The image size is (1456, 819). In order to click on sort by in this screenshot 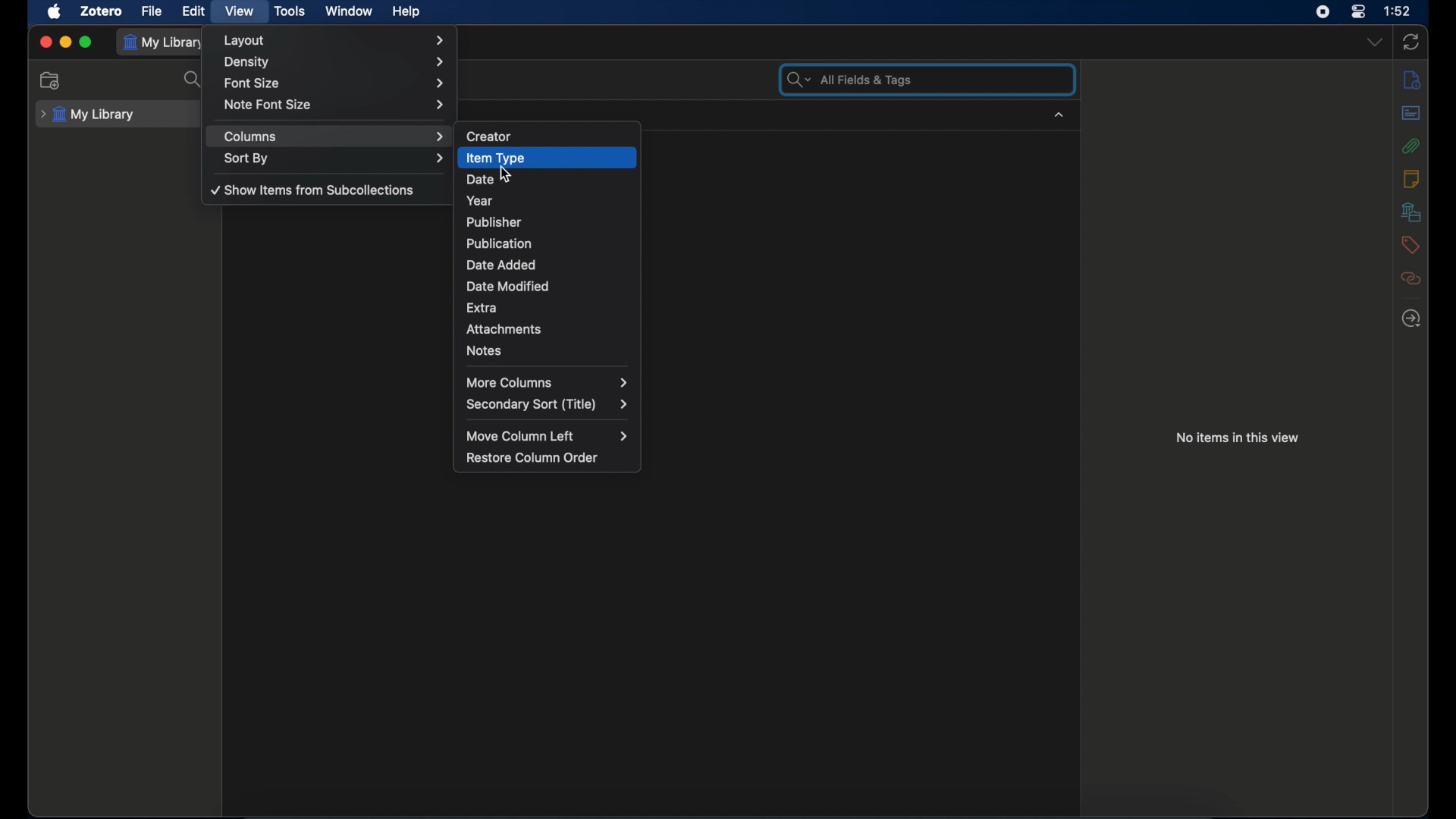, I will do `click(335, 158)`.